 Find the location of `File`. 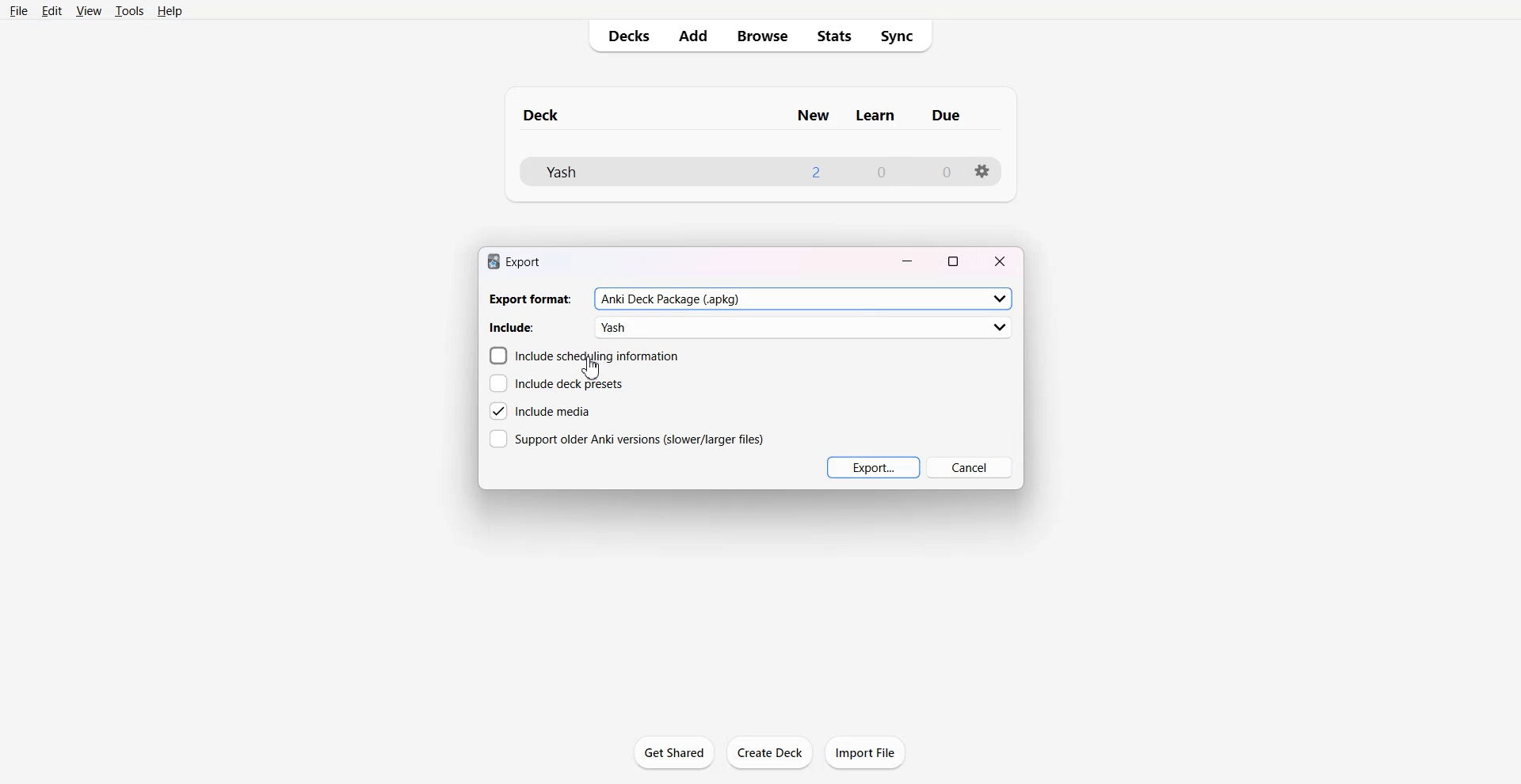

File is located at coordinates (19, 12).